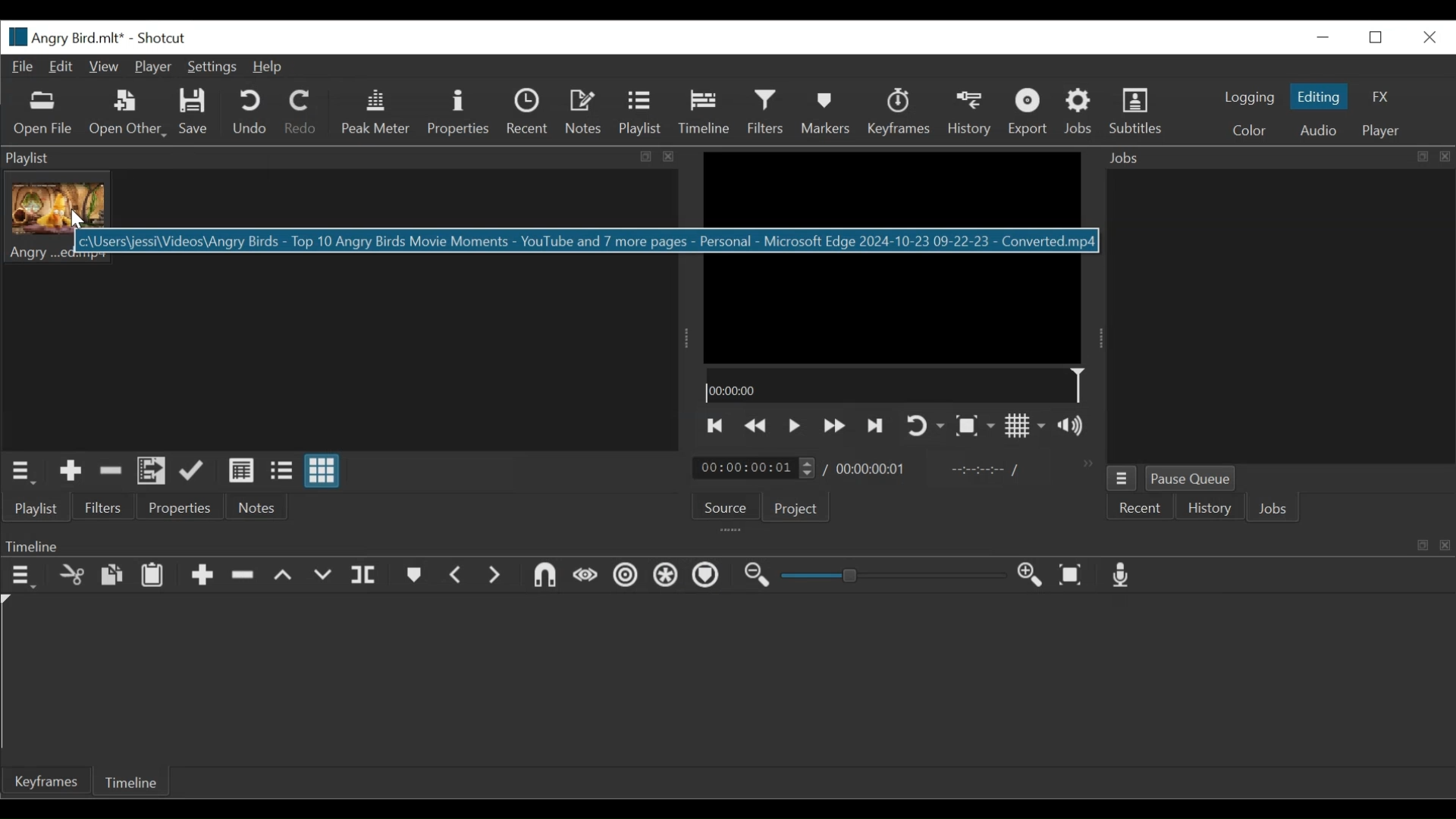 The height and width of the screenshot is (819, 1456). I want to click on FX, so click(1381, 97).